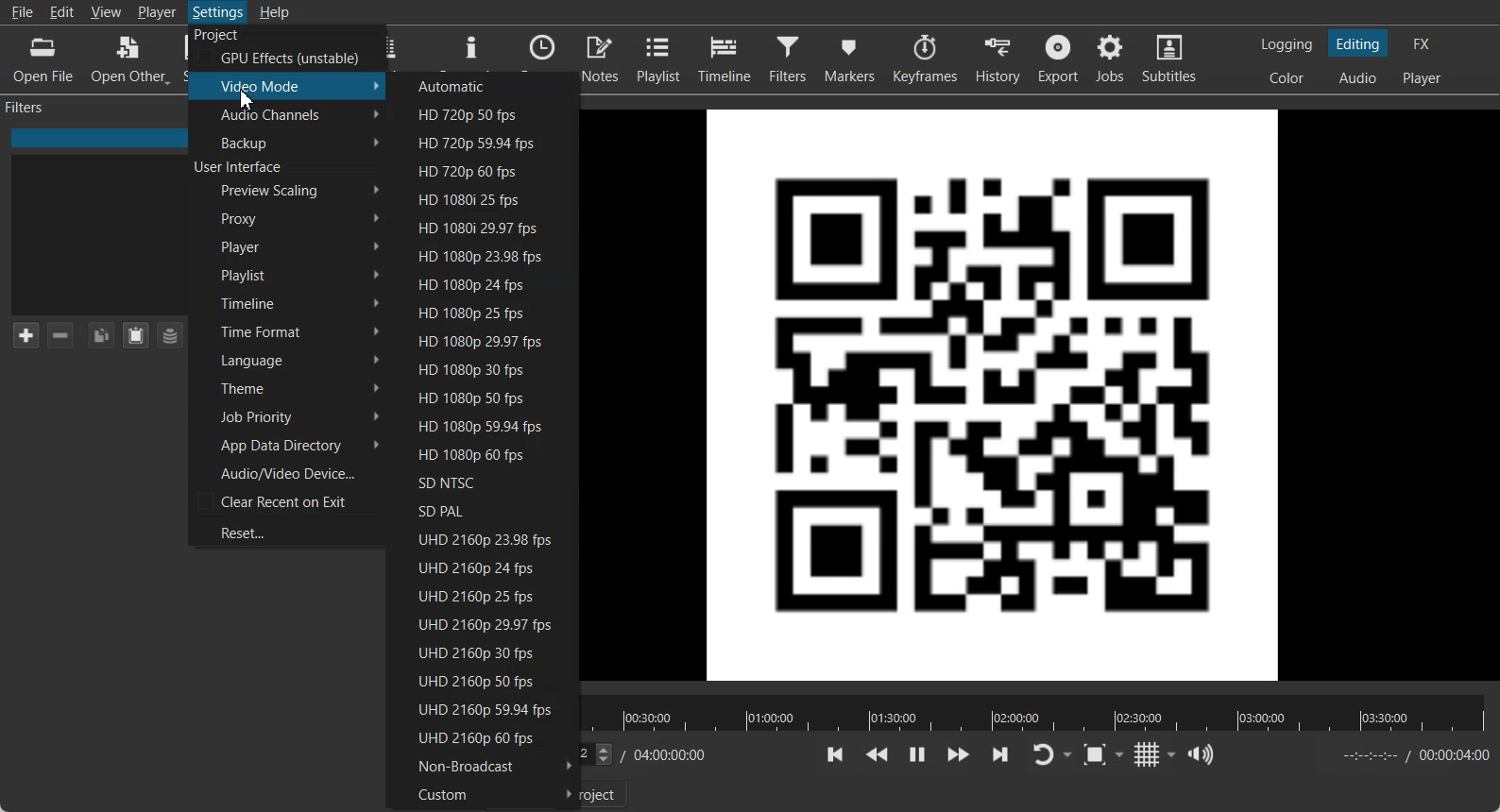 The width and height of the screenshot is (1500, 812). Describe the element at coordinates (483, 114) in the screenshot. I see `HD 720p 50 fps` at that location.